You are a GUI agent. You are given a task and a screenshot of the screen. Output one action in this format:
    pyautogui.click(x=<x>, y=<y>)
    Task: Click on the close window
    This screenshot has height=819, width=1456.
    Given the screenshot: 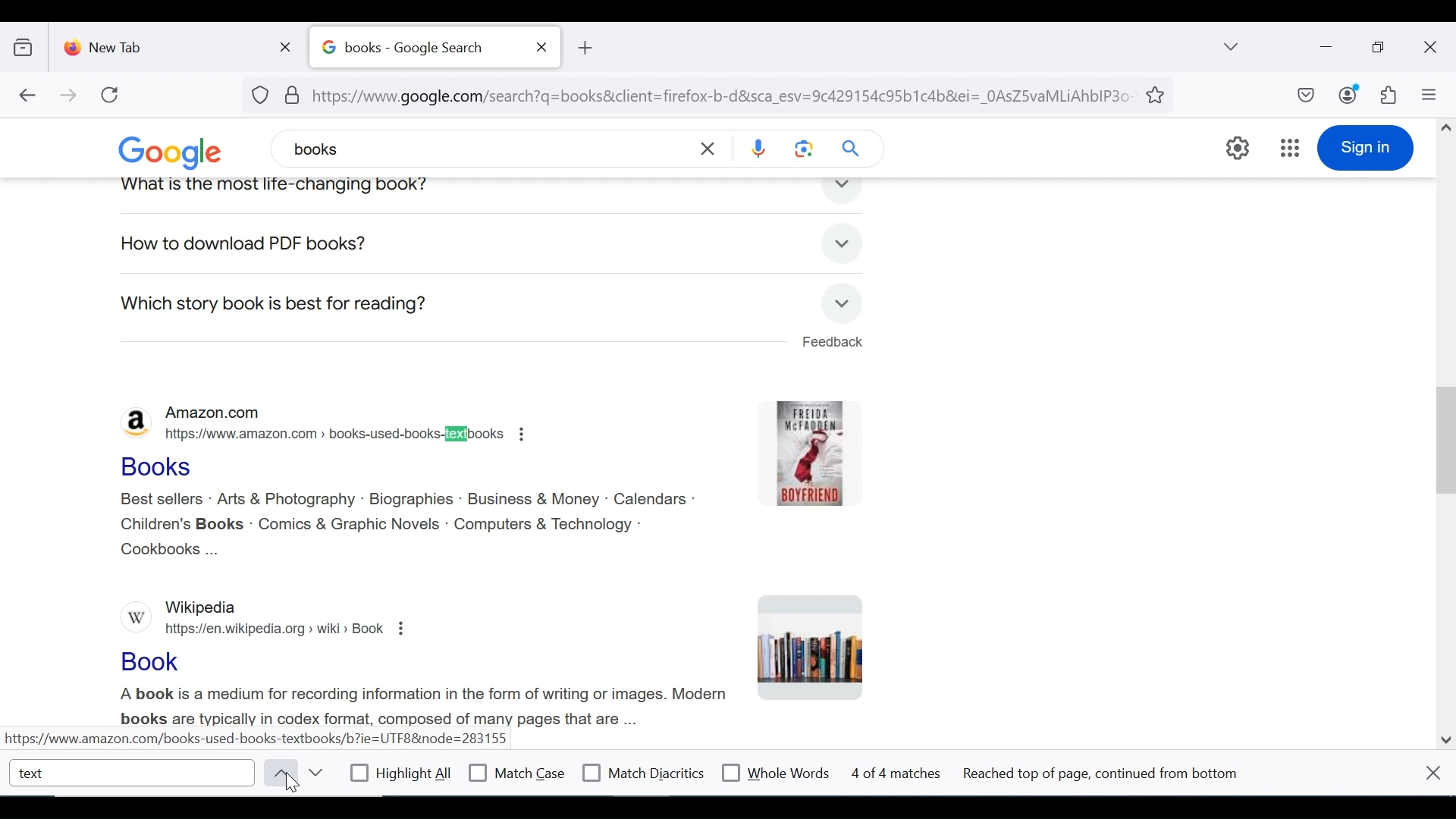 What is the action you would take?
    pyautogui.click(x=1431, y=48)
    